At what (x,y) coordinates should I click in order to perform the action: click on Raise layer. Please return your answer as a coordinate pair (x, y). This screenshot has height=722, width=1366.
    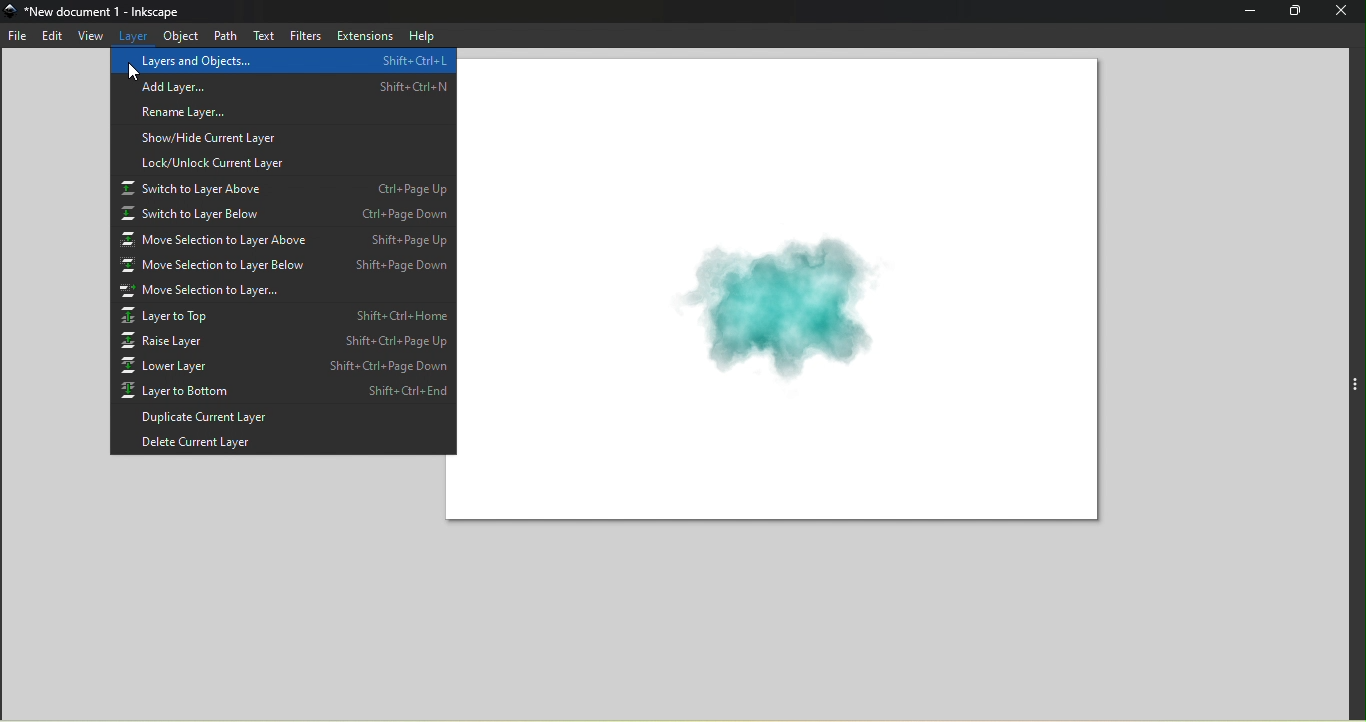
    Looking at the image, I should click on (284, 340).